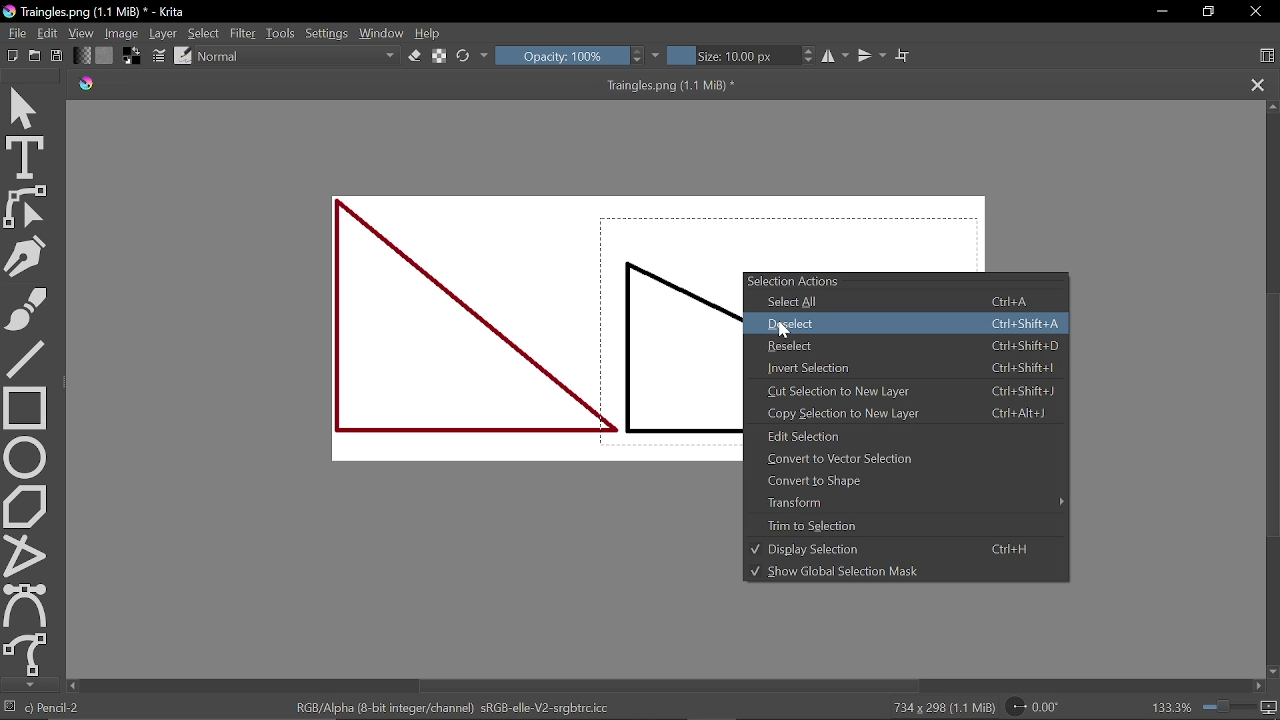 This screenshot has height=720, width=1280. Describe the element at coordinates (50, 33) in the screenshot. I see `Edit` at that location.